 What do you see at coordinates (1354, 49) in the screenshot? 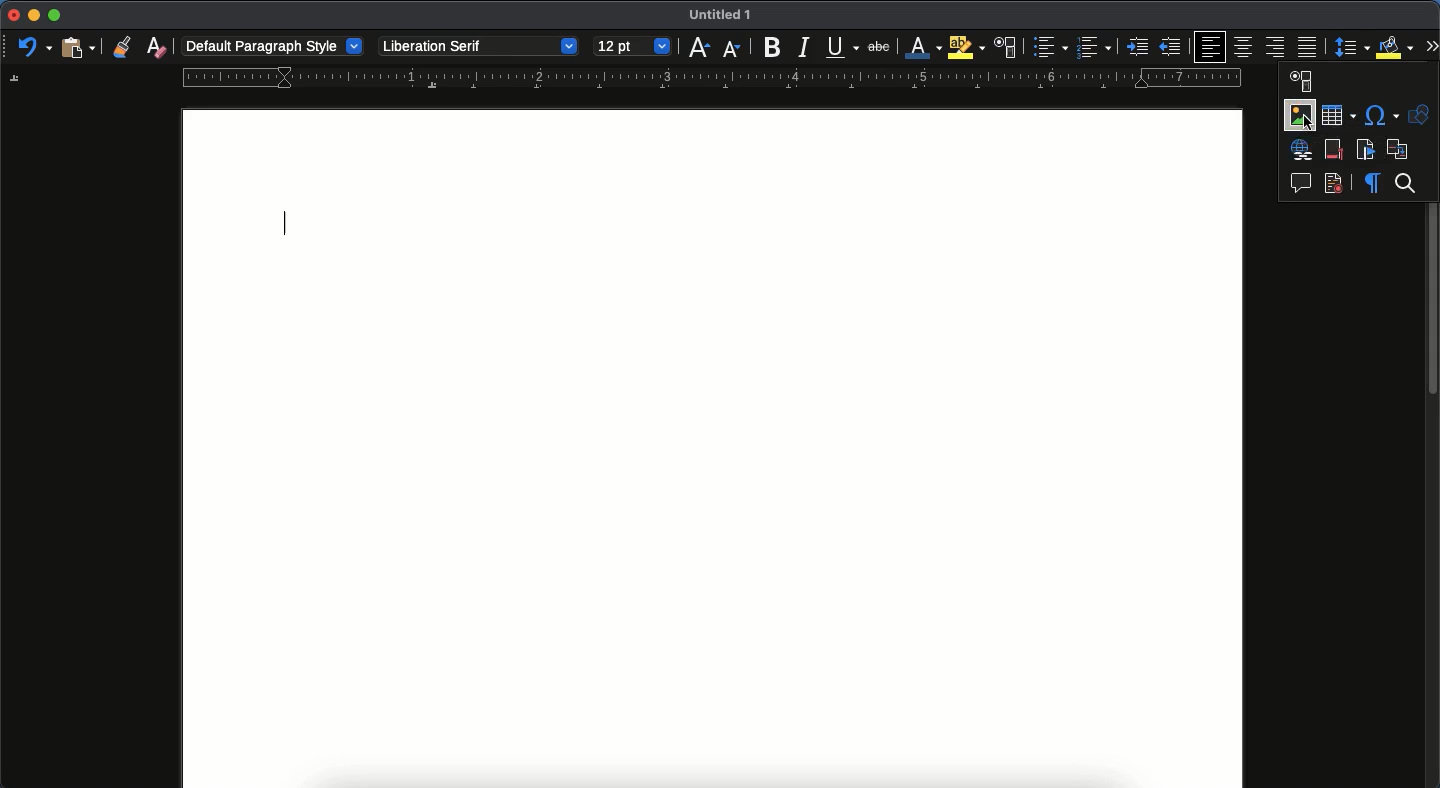
I see `paragraph spacing` at bounding box center [1354, 49].